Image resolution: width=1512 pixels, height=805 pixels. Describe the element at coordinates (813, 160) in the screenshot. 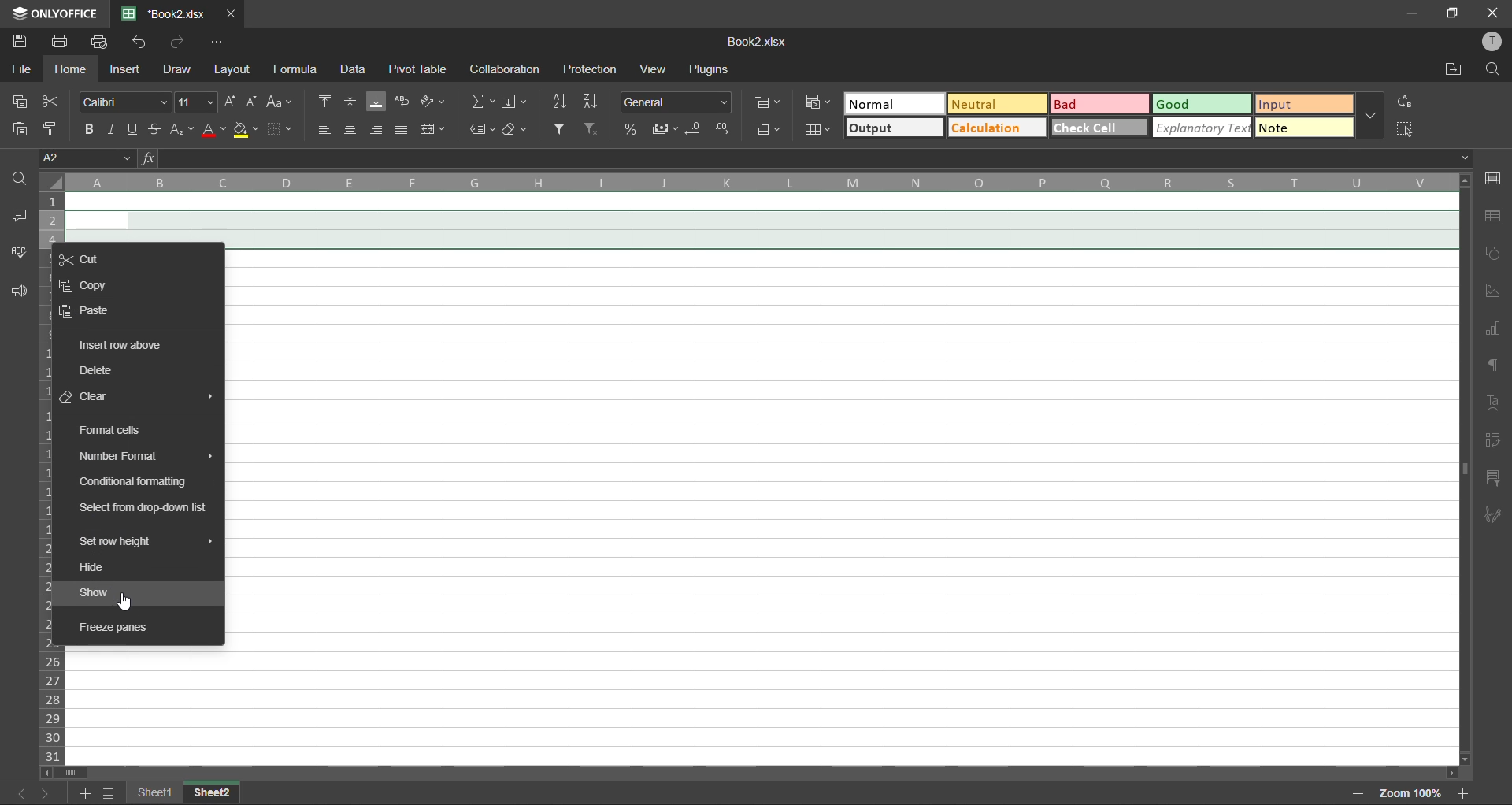

I see `formula bar` at that location.